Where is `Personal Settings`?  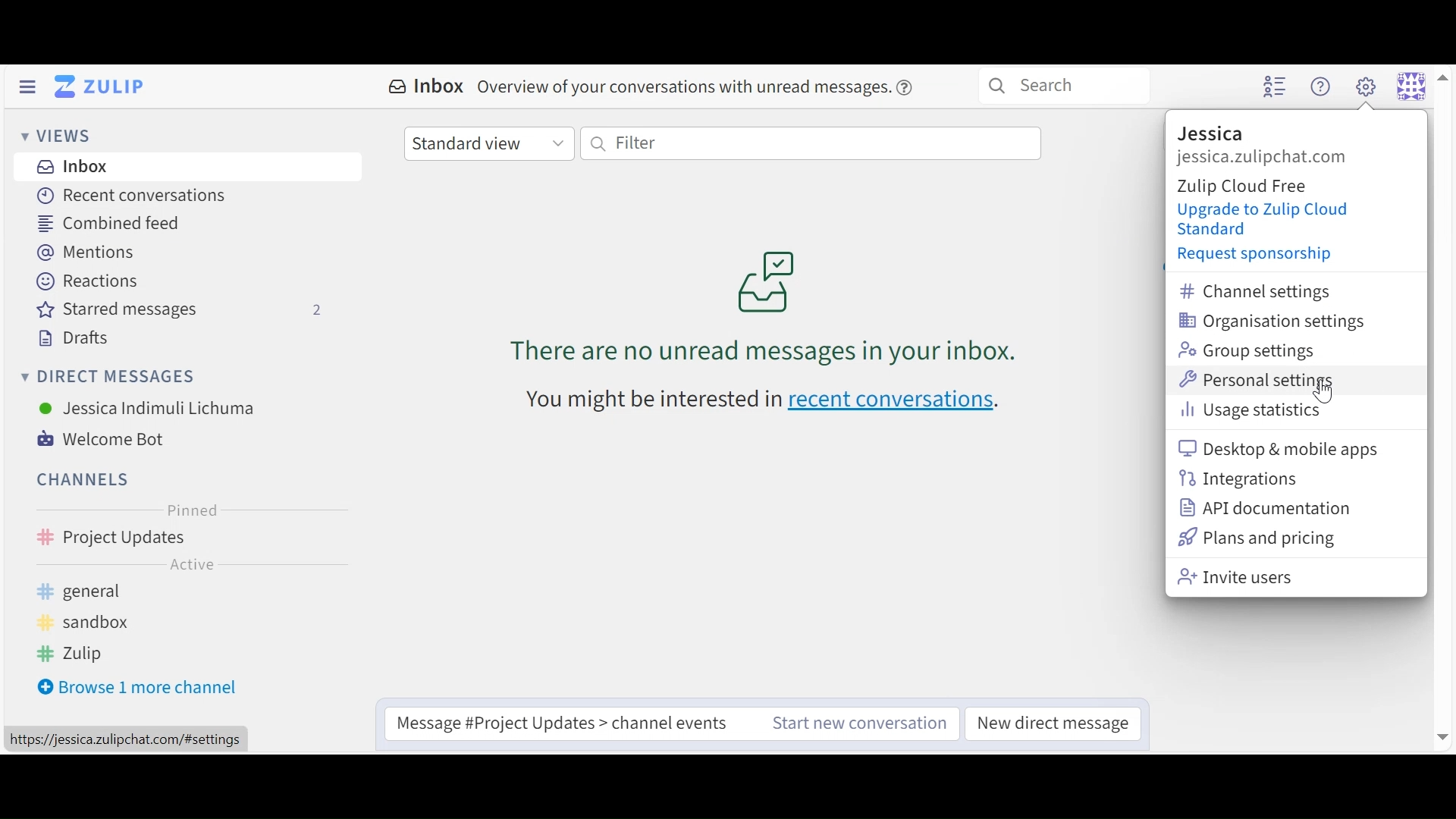
Personal Settings is located at coordinates (1263, 381).